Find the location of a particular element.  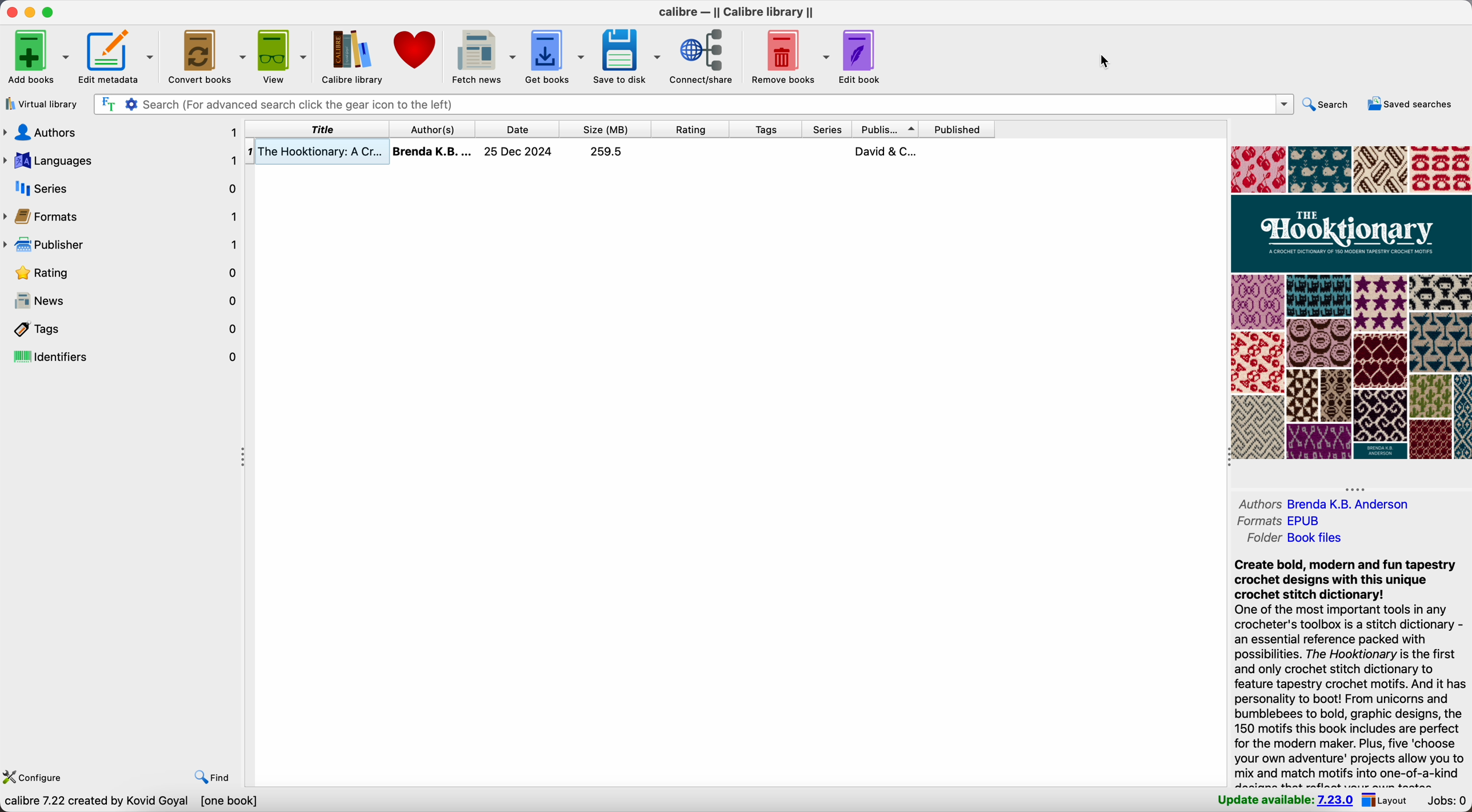

synopsis is located at coordinates (1349, 671).